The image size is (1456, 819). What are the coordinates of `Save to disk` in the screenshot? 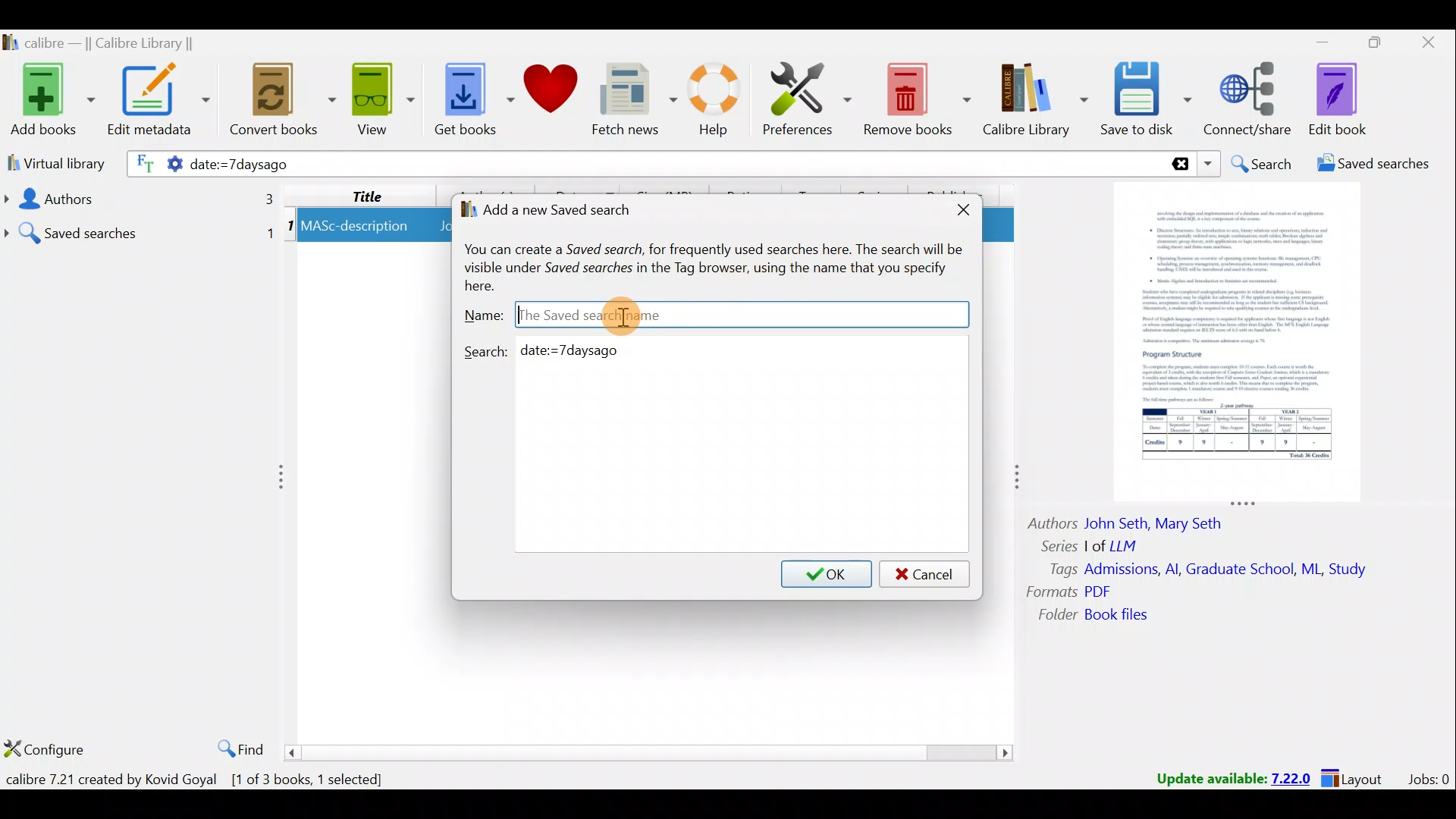 It's located at (1148, 101).